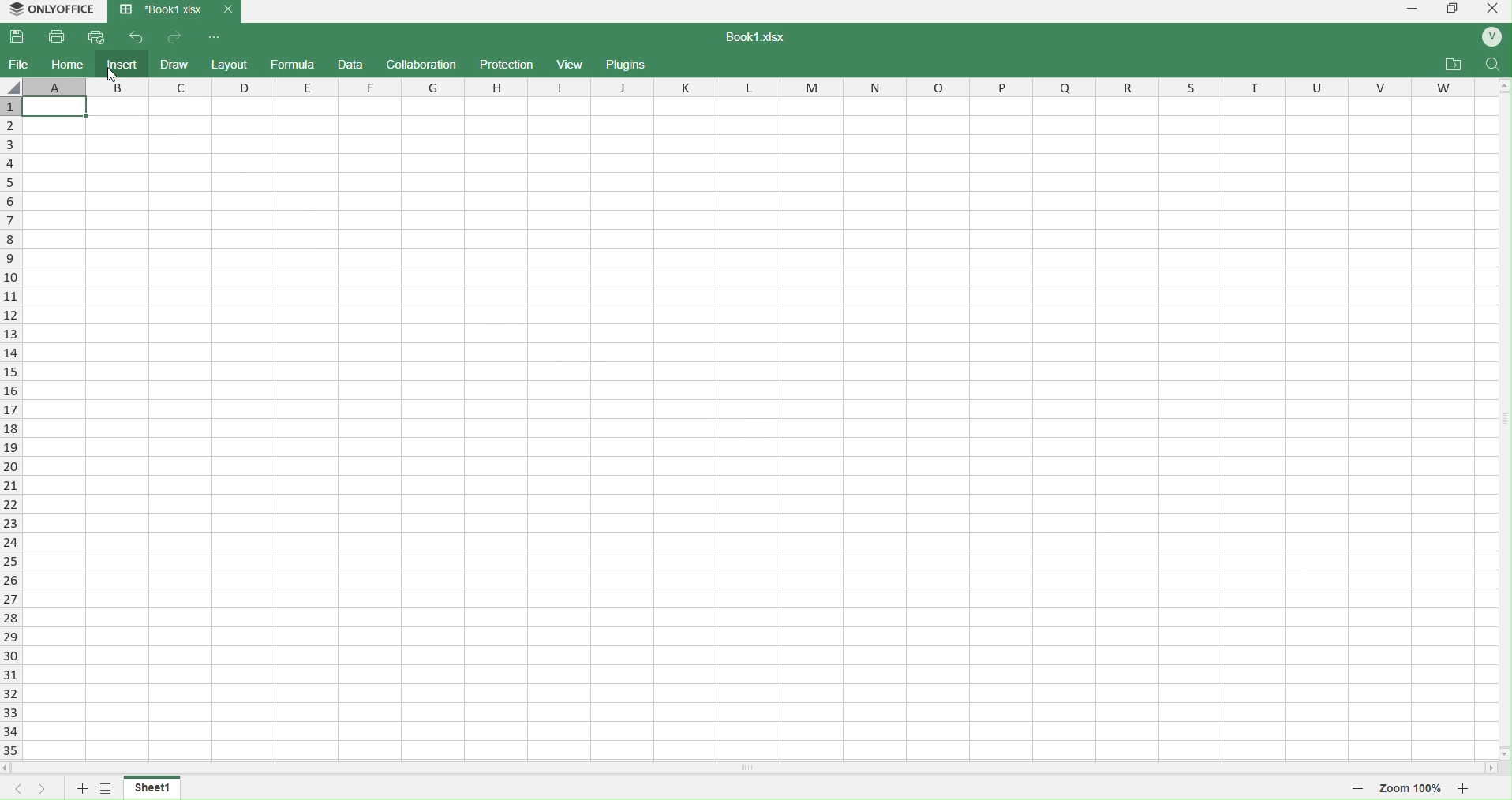  Describe the element at coordinates (13, 789) in the screenshot. I see `previous sheet` at that location.